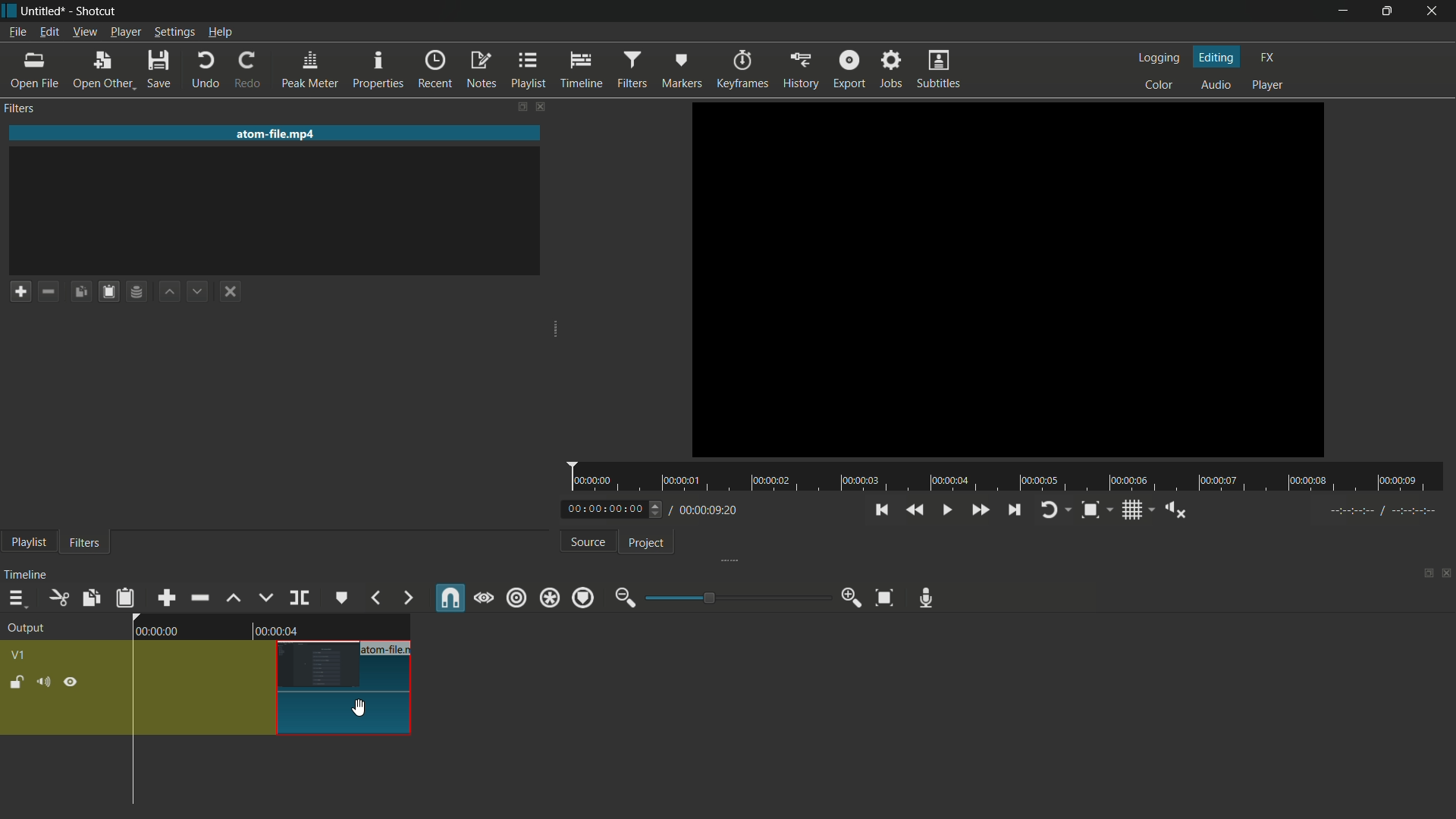  Describe the element at coordinates (278, 134) in the screenshot. I see `file name` at that location.